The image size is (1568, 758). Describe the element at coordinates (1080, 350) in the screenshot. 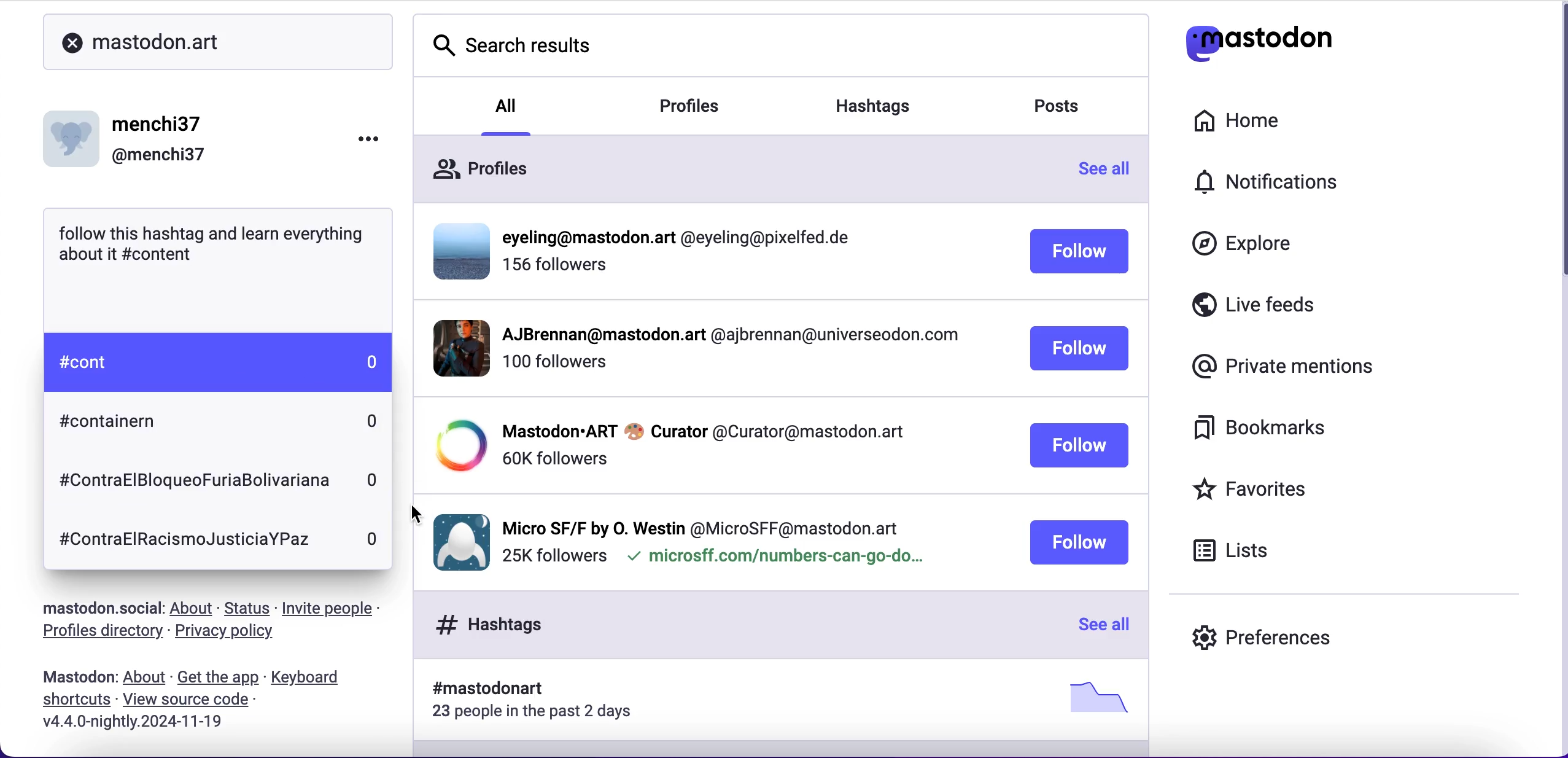

I see `follow` at that location.